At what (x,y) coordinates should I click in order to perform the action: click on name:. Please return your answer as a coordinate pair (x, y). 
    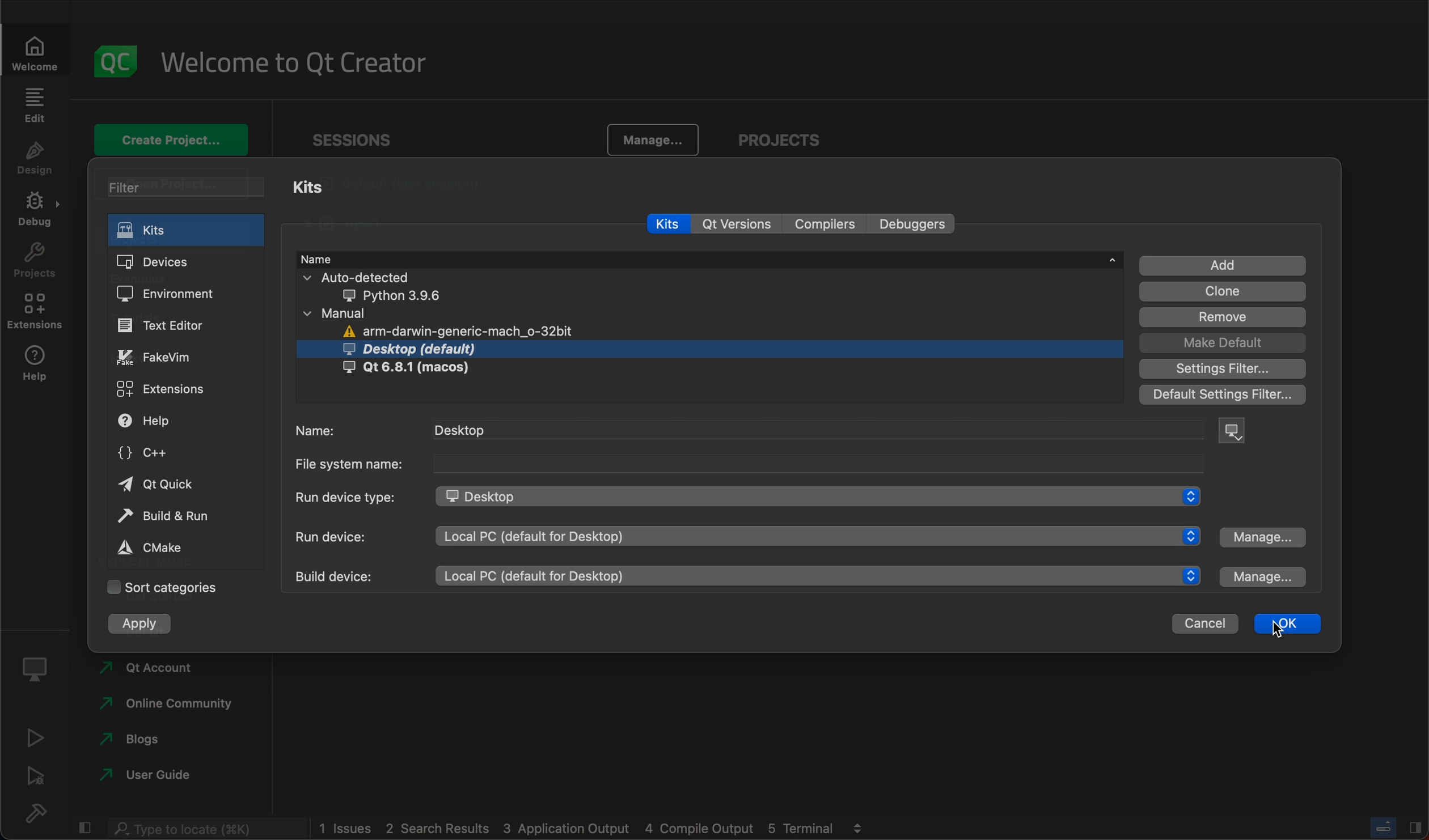
    Looking at the image, I should click on (324, 430).